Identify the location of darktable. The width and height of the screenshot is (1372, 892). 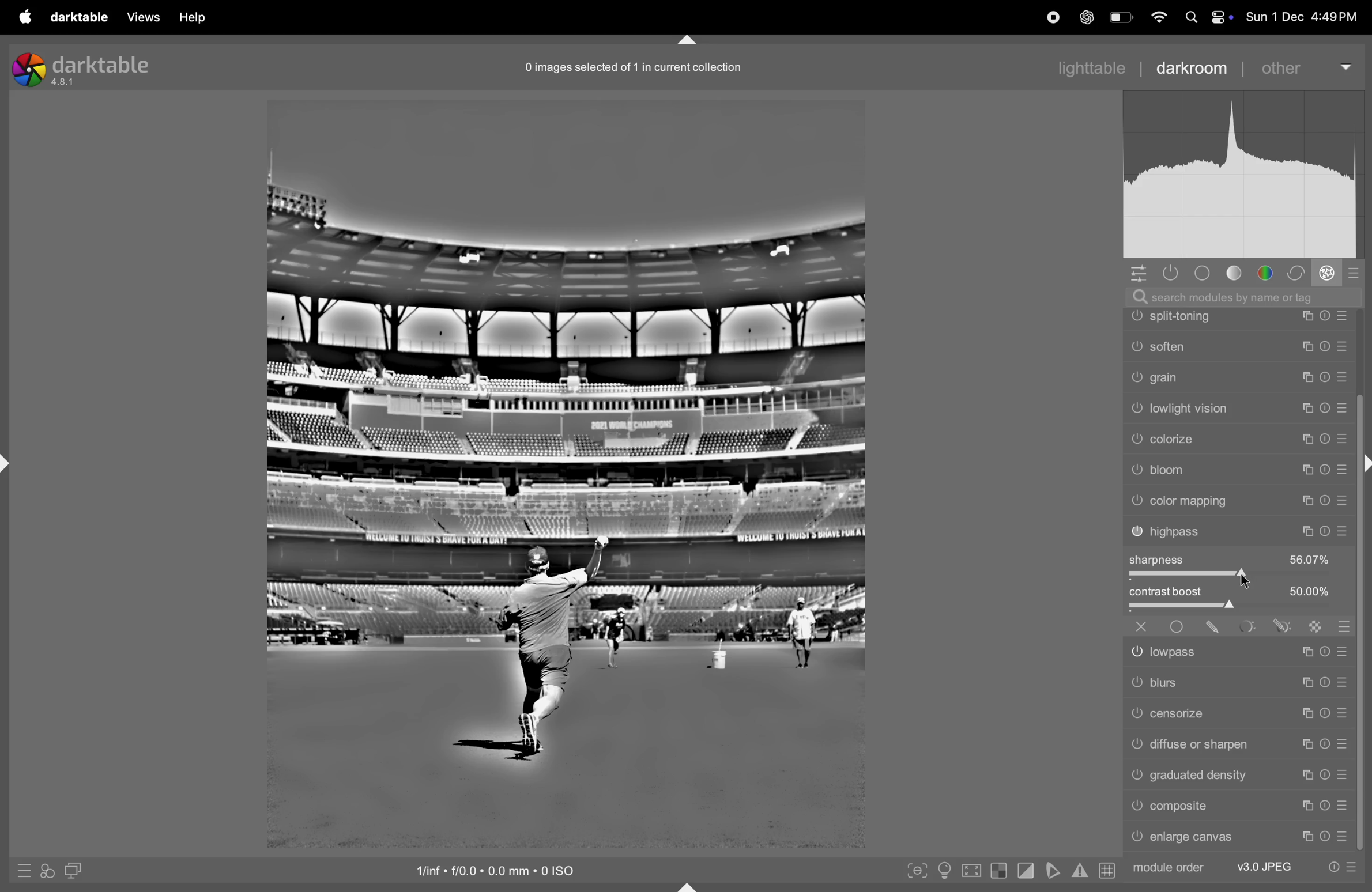
(79, 17).